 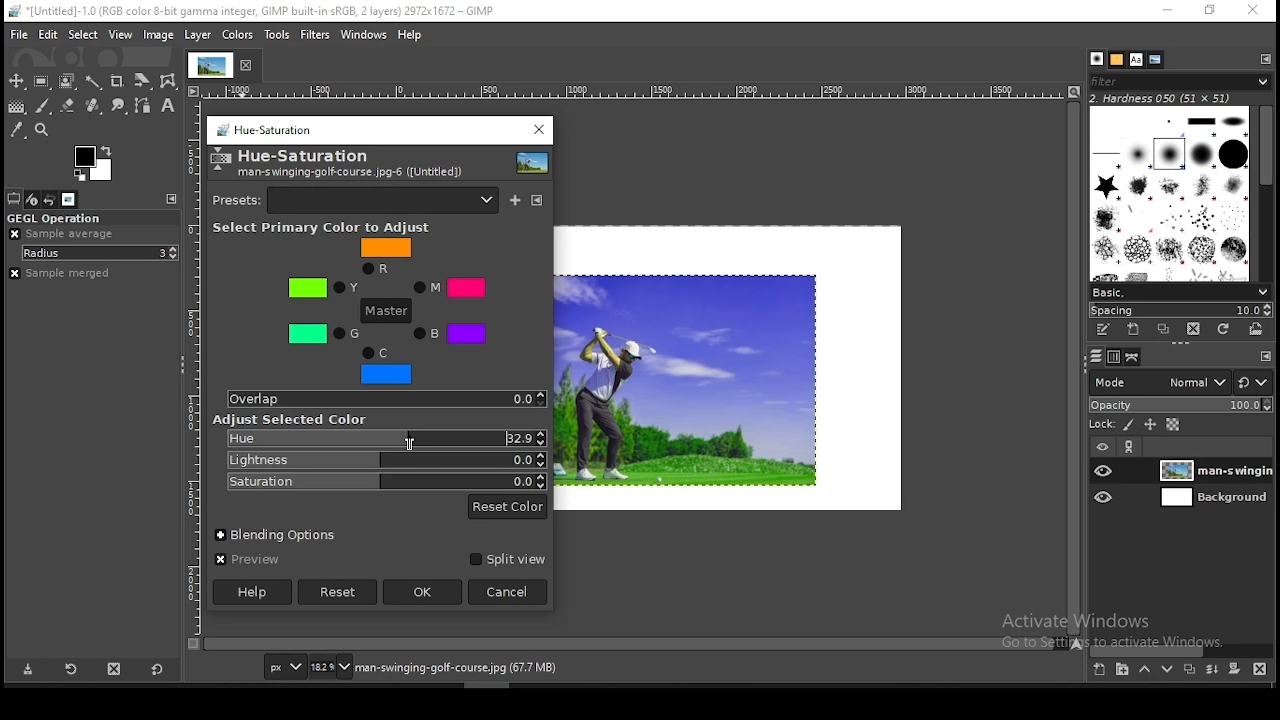 What do you see at coordinates (239, 35) in the screenshot?
I see `colors` at bounding box center [239, 35].